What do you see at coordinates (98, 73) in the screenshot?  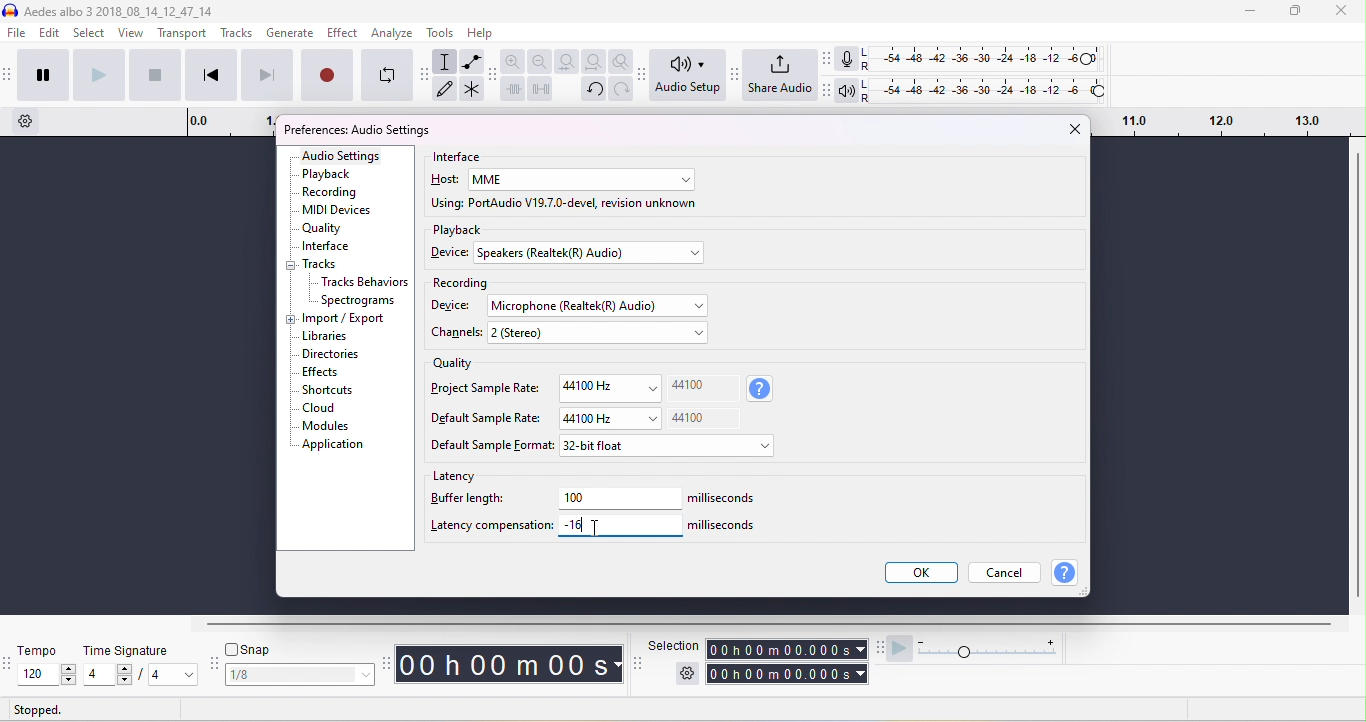 I see `play` at bounding box center [98, 73].